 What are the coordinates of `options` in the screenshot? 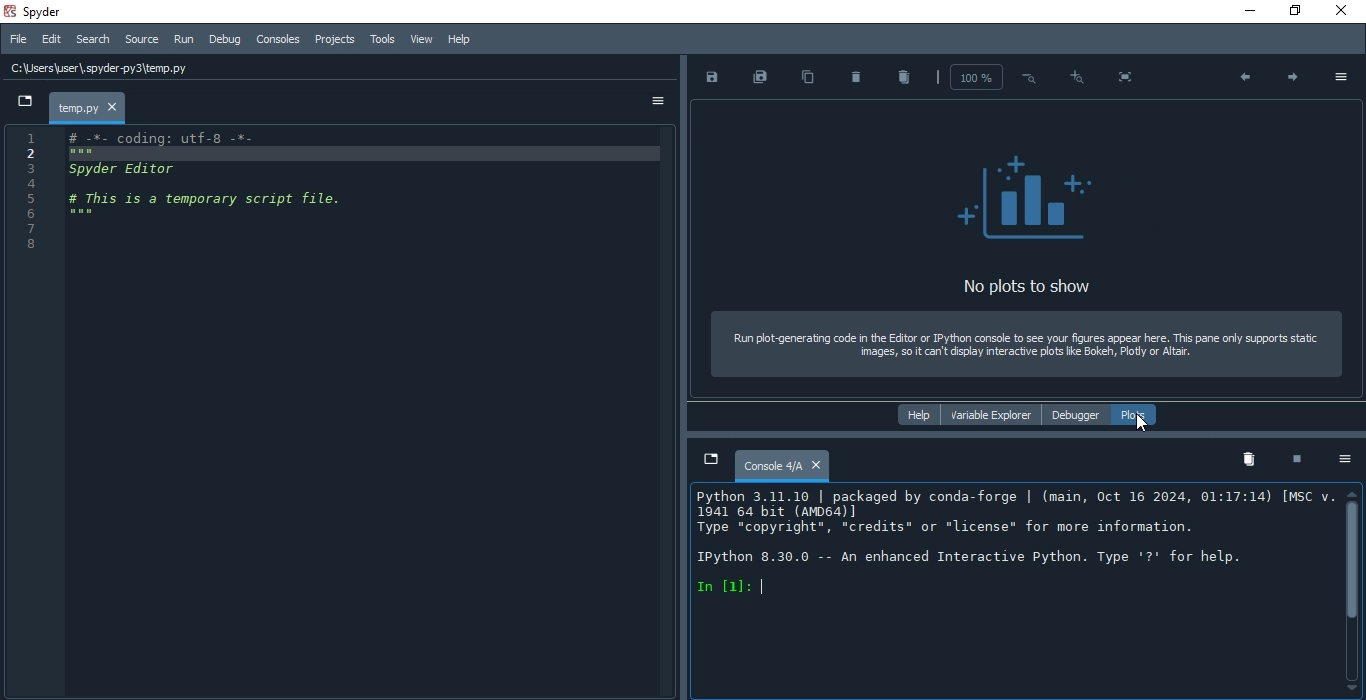 It's located at (659, 103).